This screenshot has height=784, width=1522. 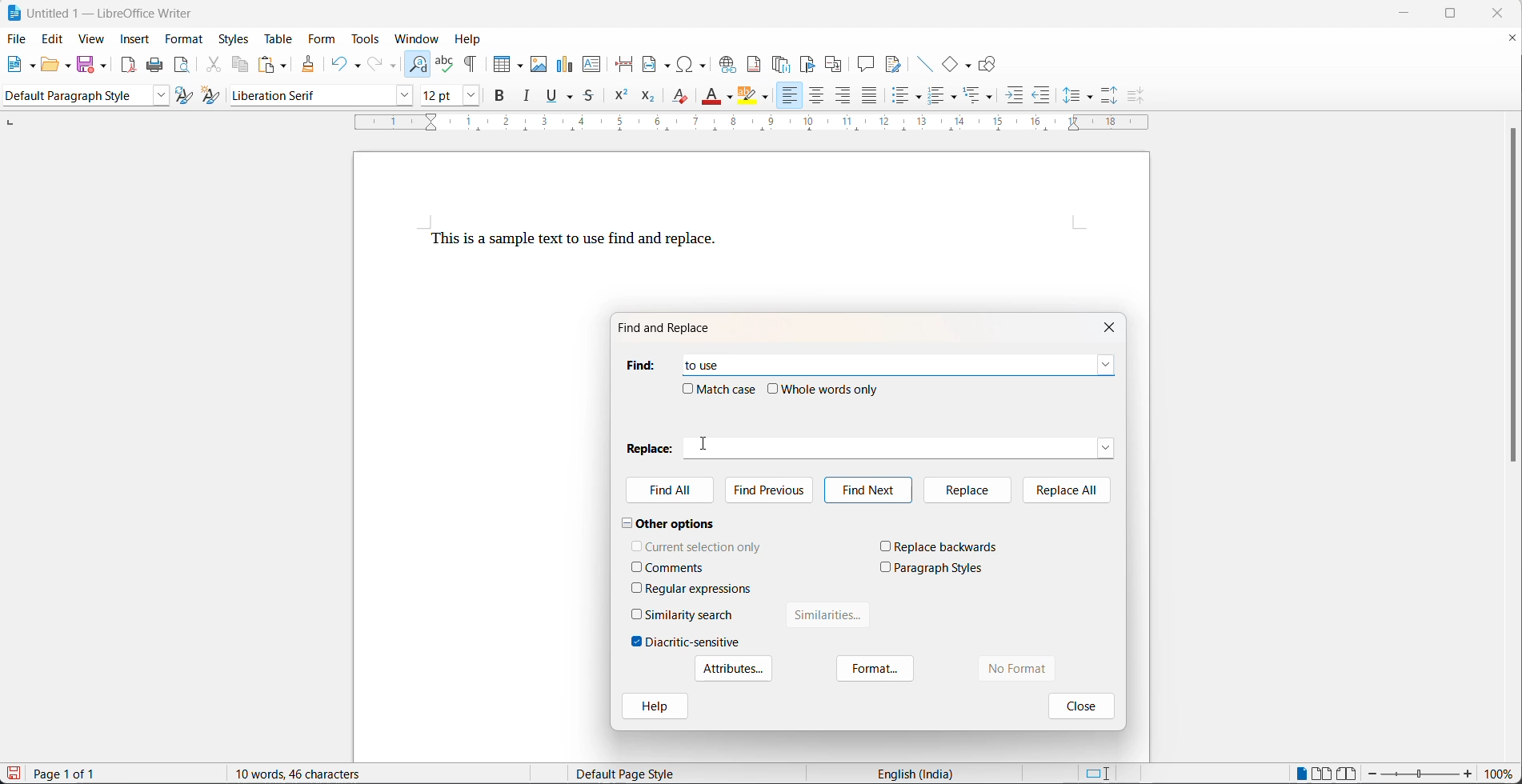 I want to click on character highlighting options, so click(x=768, y=98).